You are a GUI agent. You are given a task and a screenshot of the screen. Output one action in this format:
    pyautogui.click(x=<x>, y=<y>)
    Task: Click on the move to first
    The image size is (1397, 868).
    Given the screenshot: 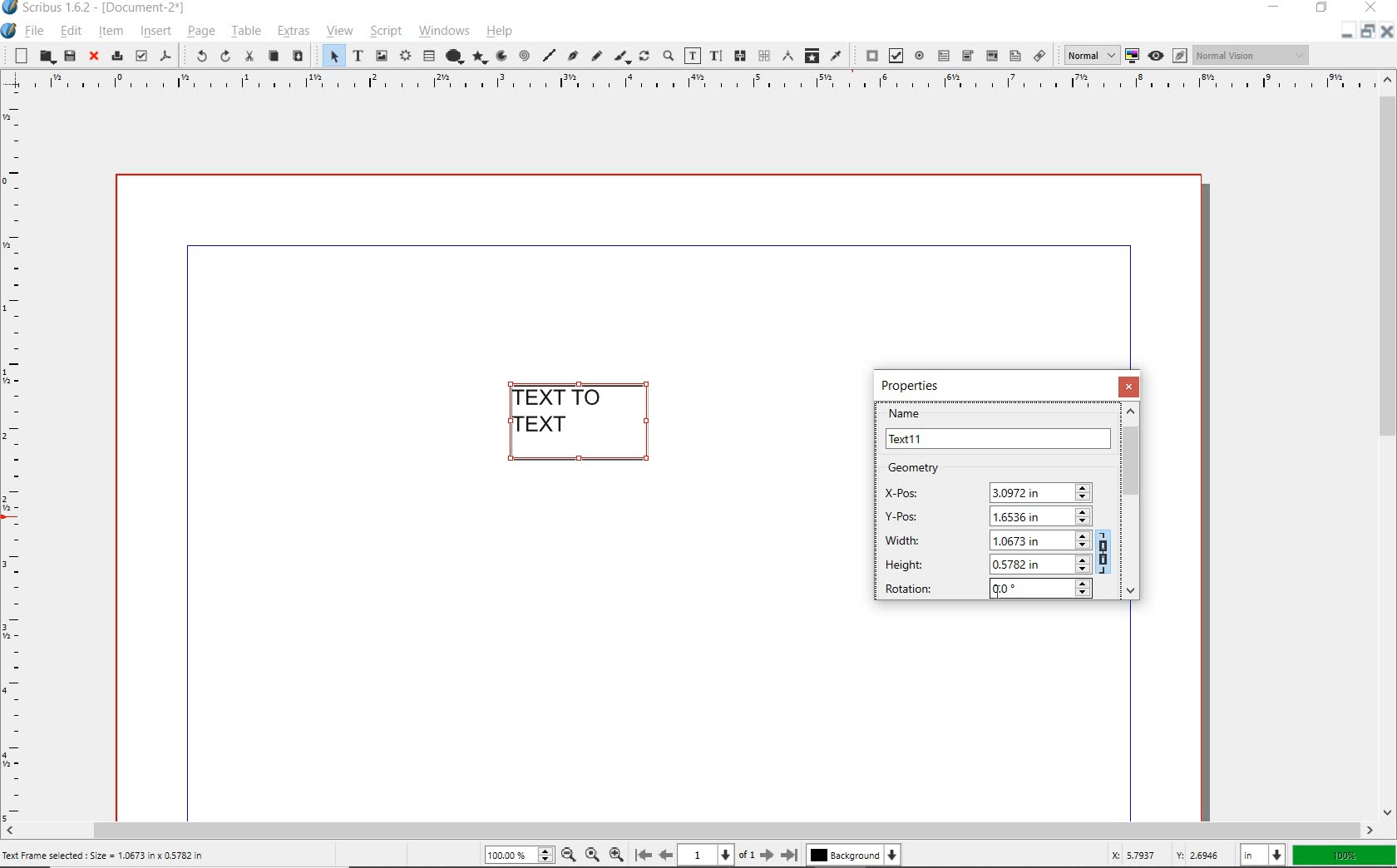 What is the action you would take?
    pyautogui.click(x=643, y=856)
    